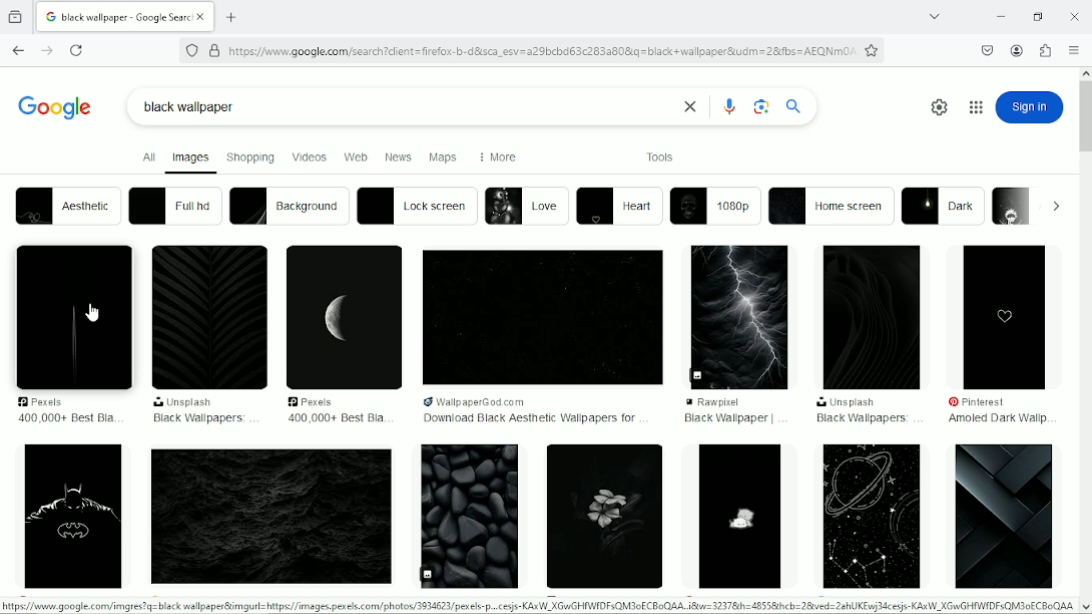 The width and height of the screenshot is (1092, 614). I want to click on google logo, so click(55, 104).